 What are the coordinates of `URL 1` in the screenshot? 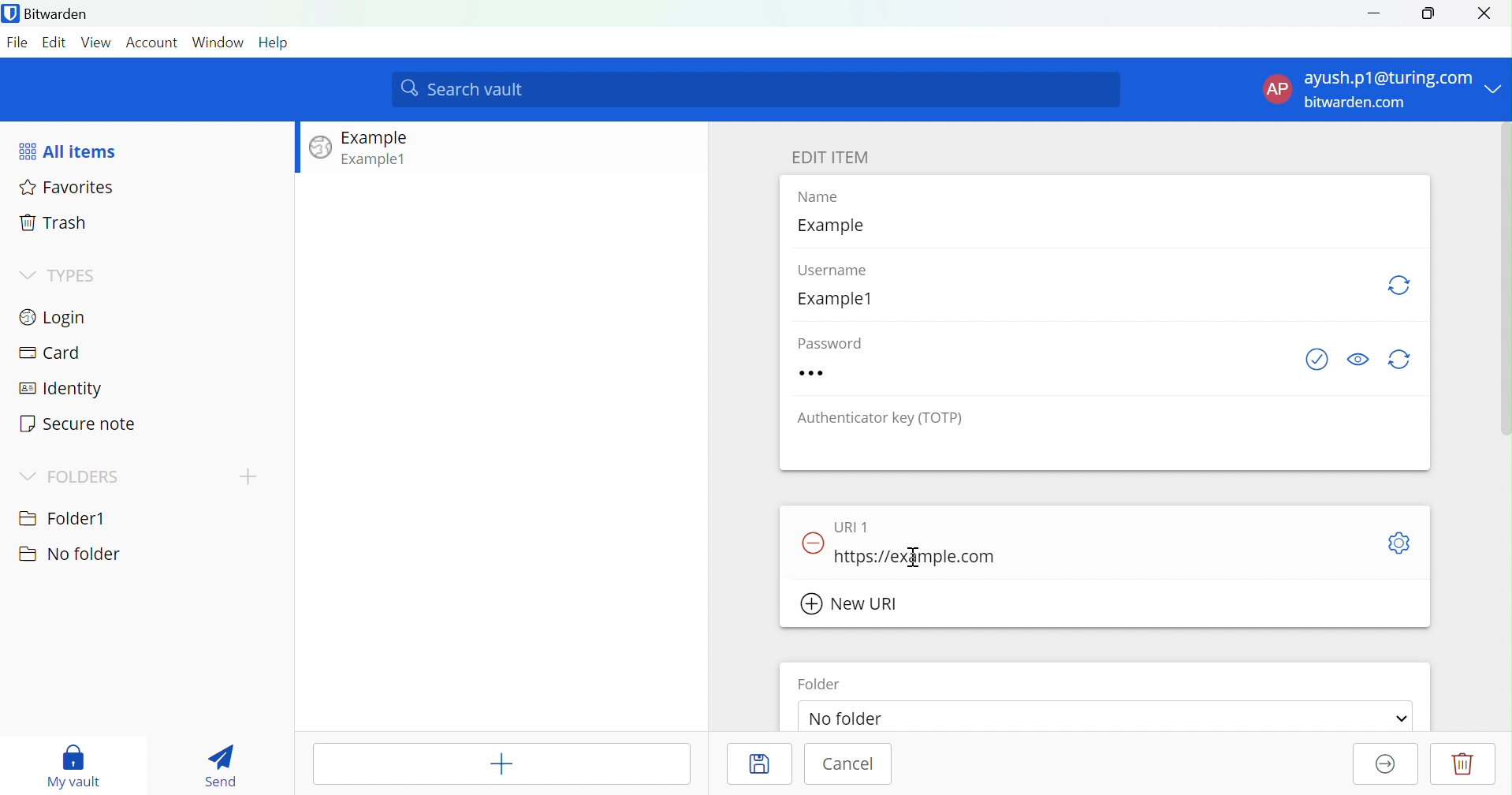 It's located at (858, 524).